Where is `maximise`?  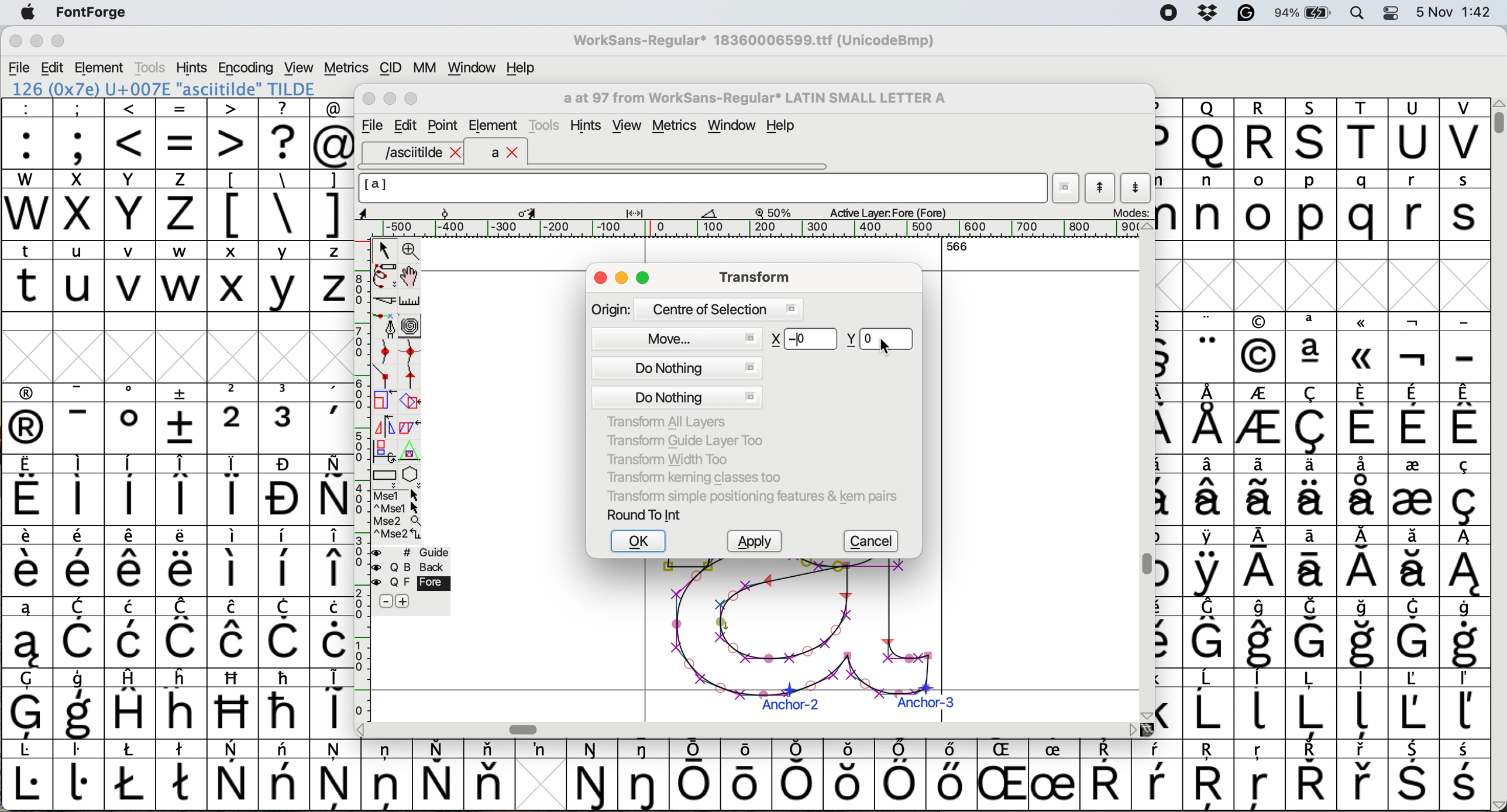 maximise is located at coordinates (59, 44).